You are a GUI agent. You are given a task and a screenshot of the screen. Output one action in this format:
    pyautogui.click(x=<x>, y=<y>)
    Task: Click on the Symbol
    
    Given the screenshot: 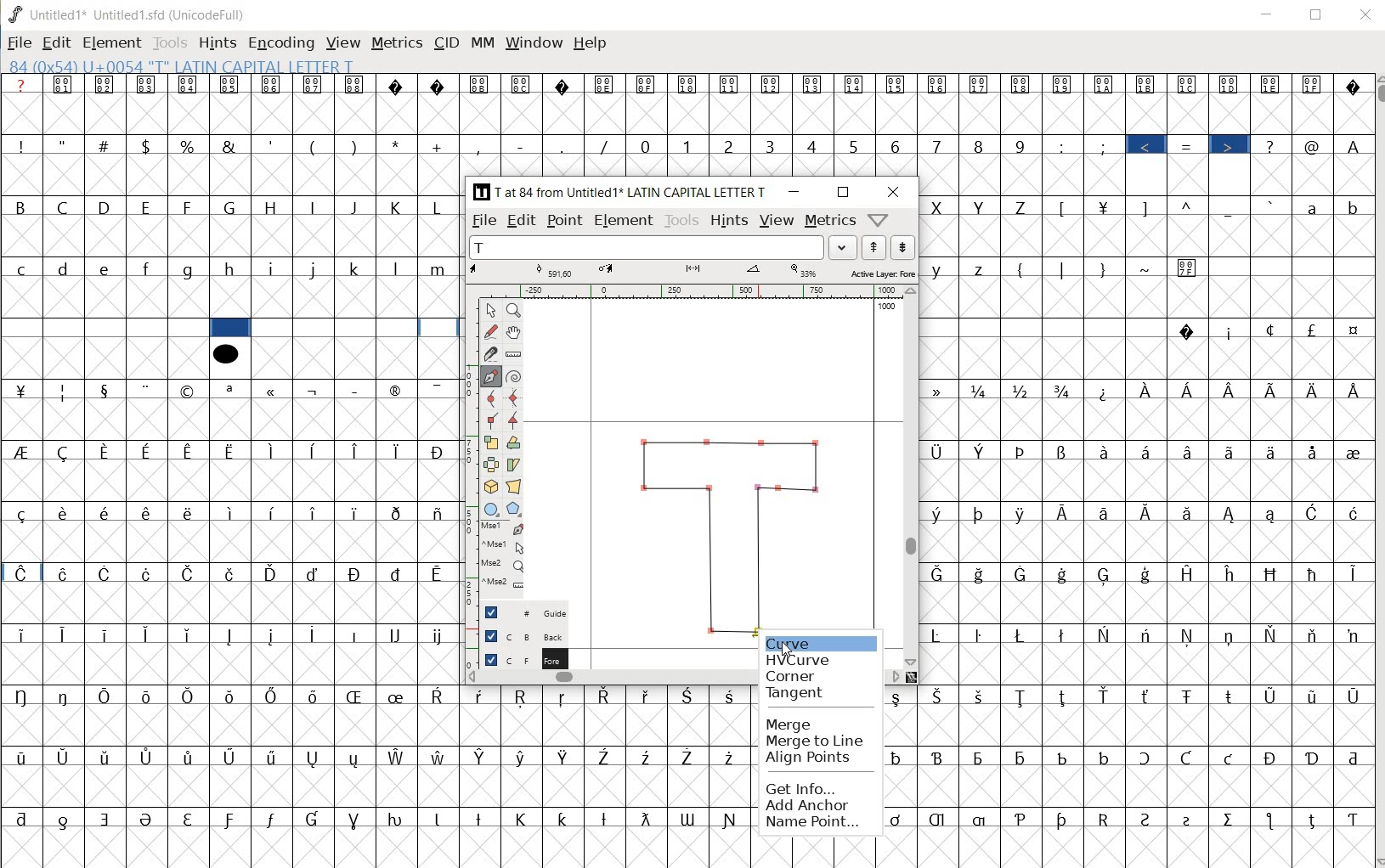 What is the action you would take?
    pyautogui.click(x=65, y=85)
    